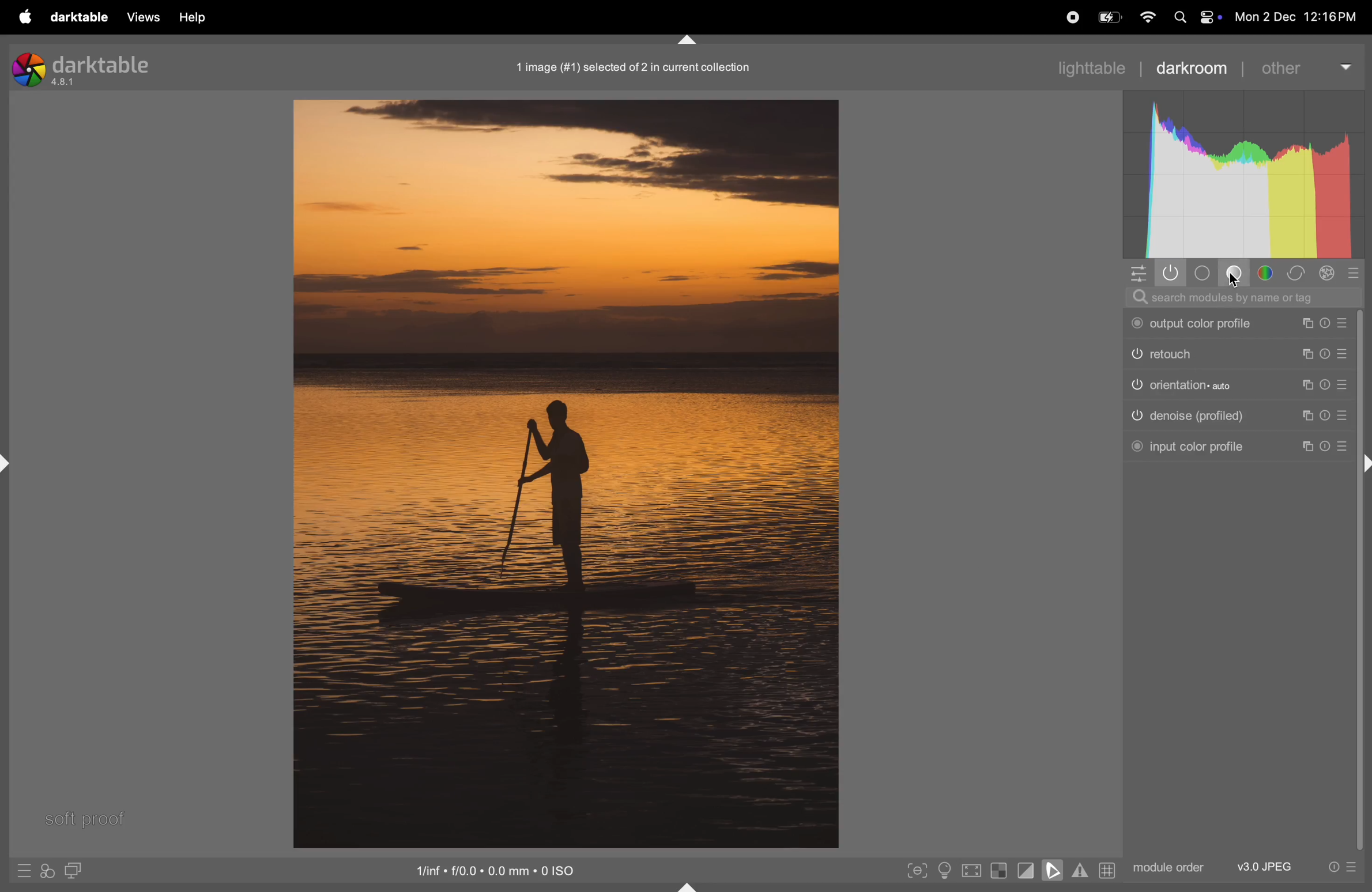 The width and height of the screenshot is (1372, 892). I want to click on 1 image in current position, so click(630, 66).